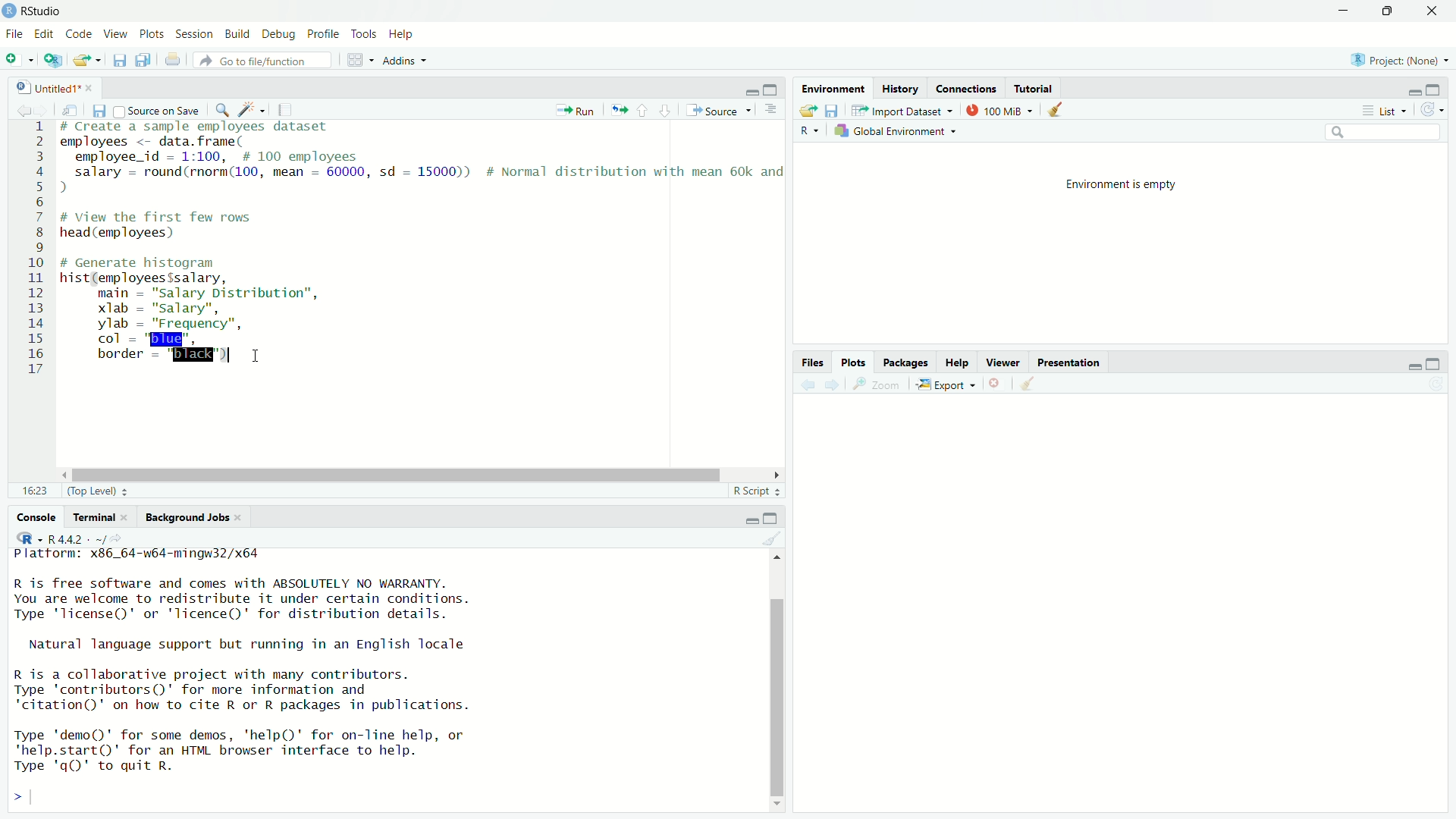 The image size is (1456, 819). I want to click on Maximise , so click(1433, 90).